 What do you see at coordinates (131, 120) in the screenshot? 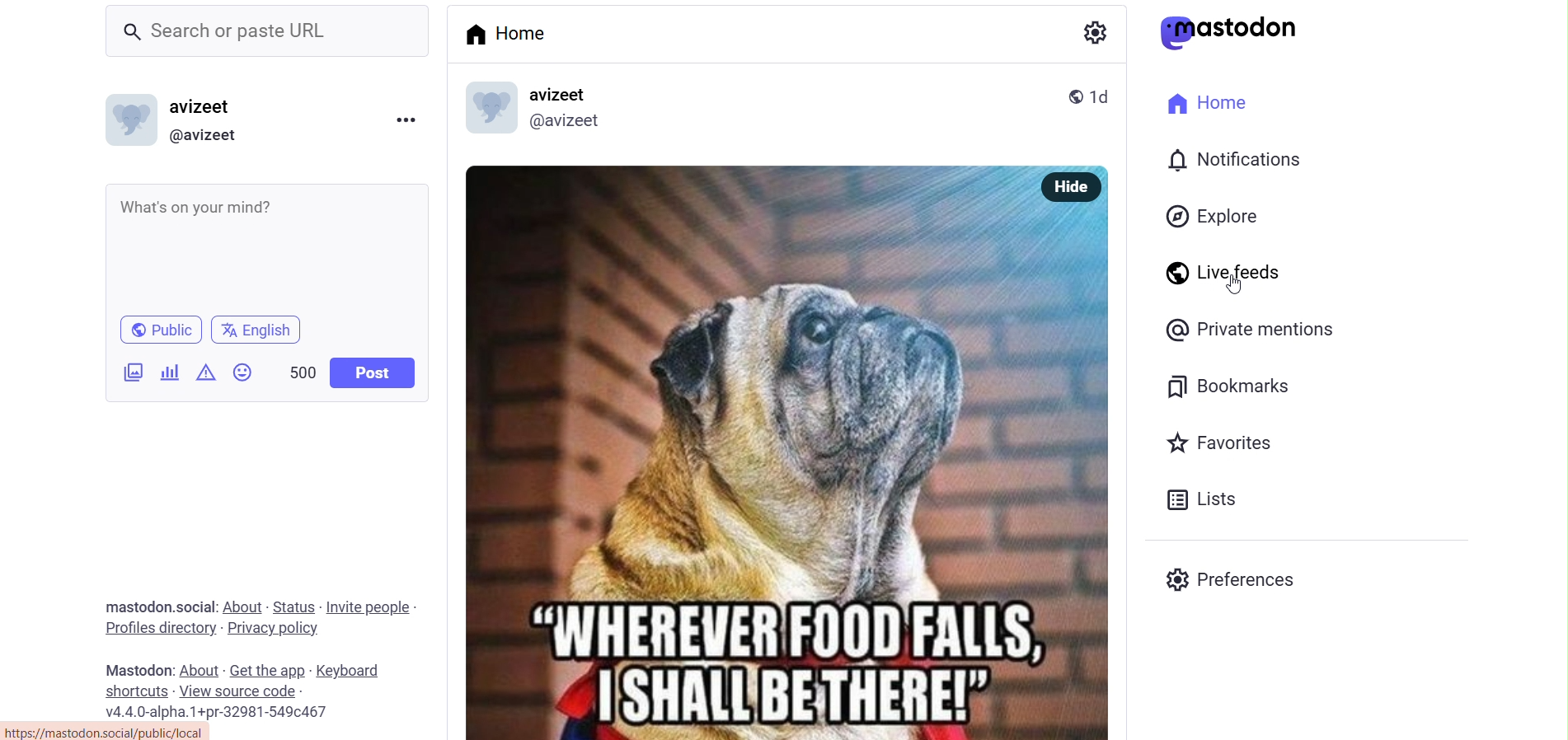
I see `display picture` at bounding box center [131, 120].